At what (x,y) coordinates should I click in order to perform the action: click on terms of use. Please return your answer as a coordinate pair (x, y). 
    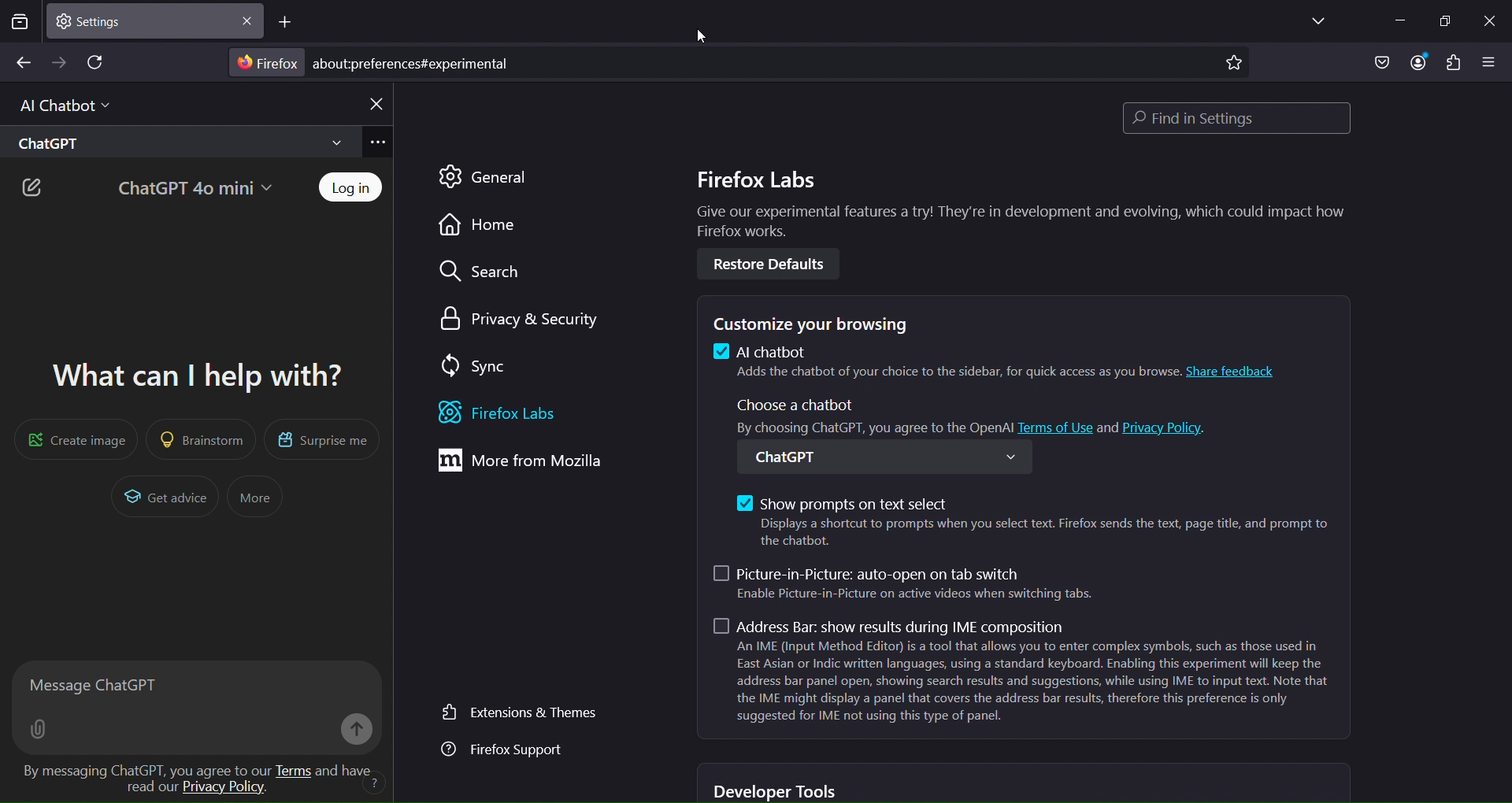
    Looking at the image, I should click on (1058, 424).